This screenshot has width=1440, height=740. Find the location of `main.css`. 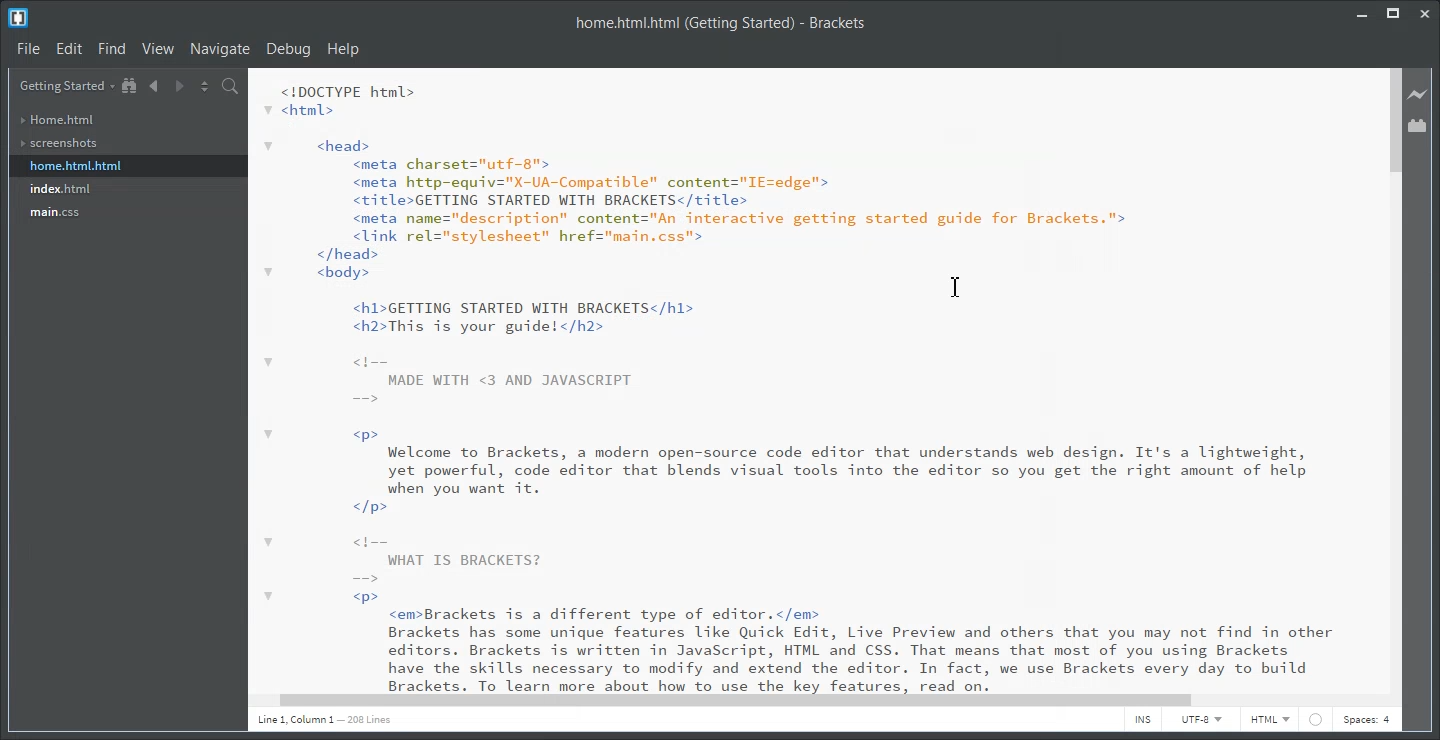

main.css is located at coordinates (57, 213).